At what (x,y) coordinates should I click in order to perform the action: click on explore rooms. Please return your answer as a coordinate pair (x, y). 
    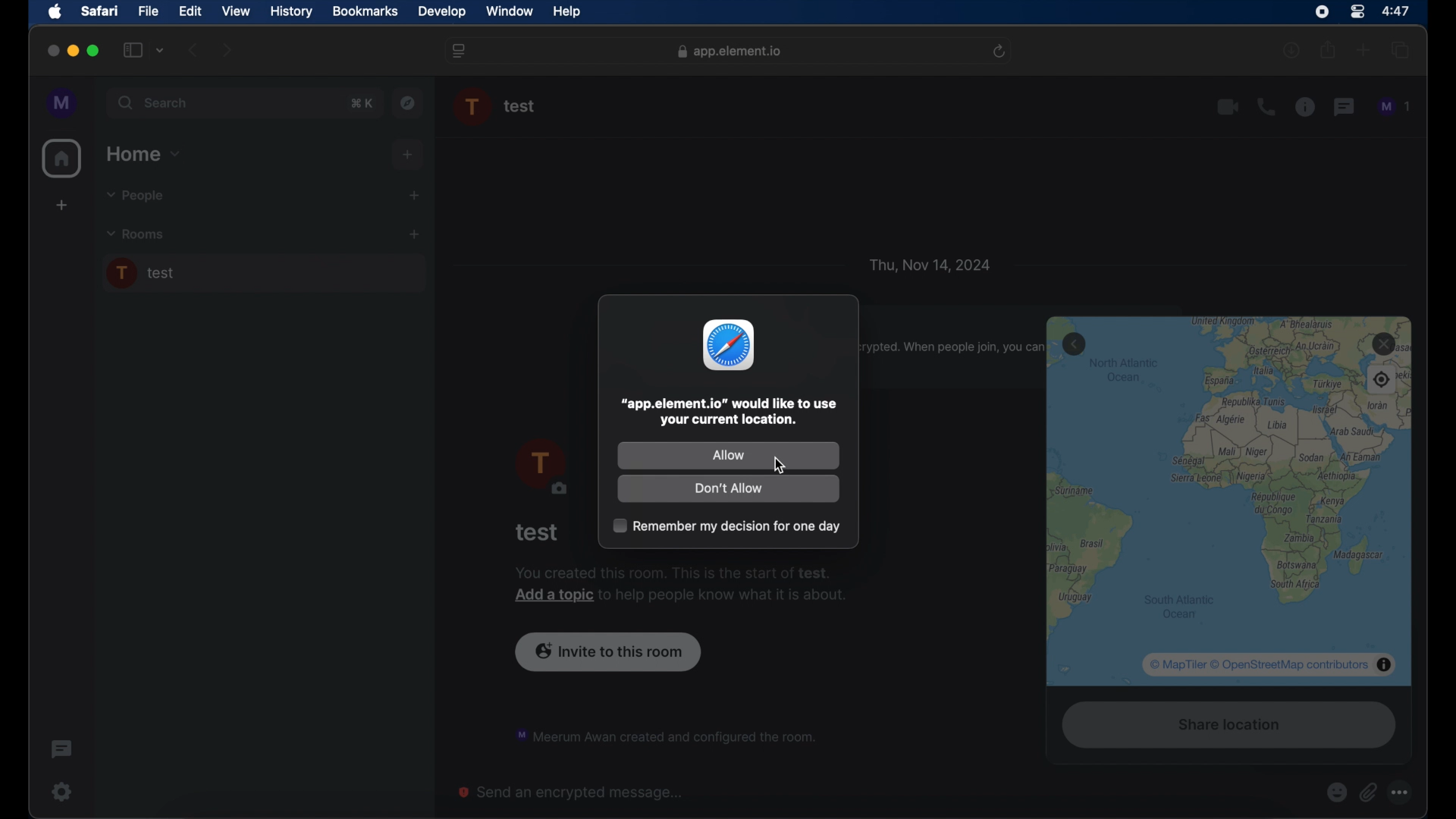
    Looking at the image, I should click on (409, 102).